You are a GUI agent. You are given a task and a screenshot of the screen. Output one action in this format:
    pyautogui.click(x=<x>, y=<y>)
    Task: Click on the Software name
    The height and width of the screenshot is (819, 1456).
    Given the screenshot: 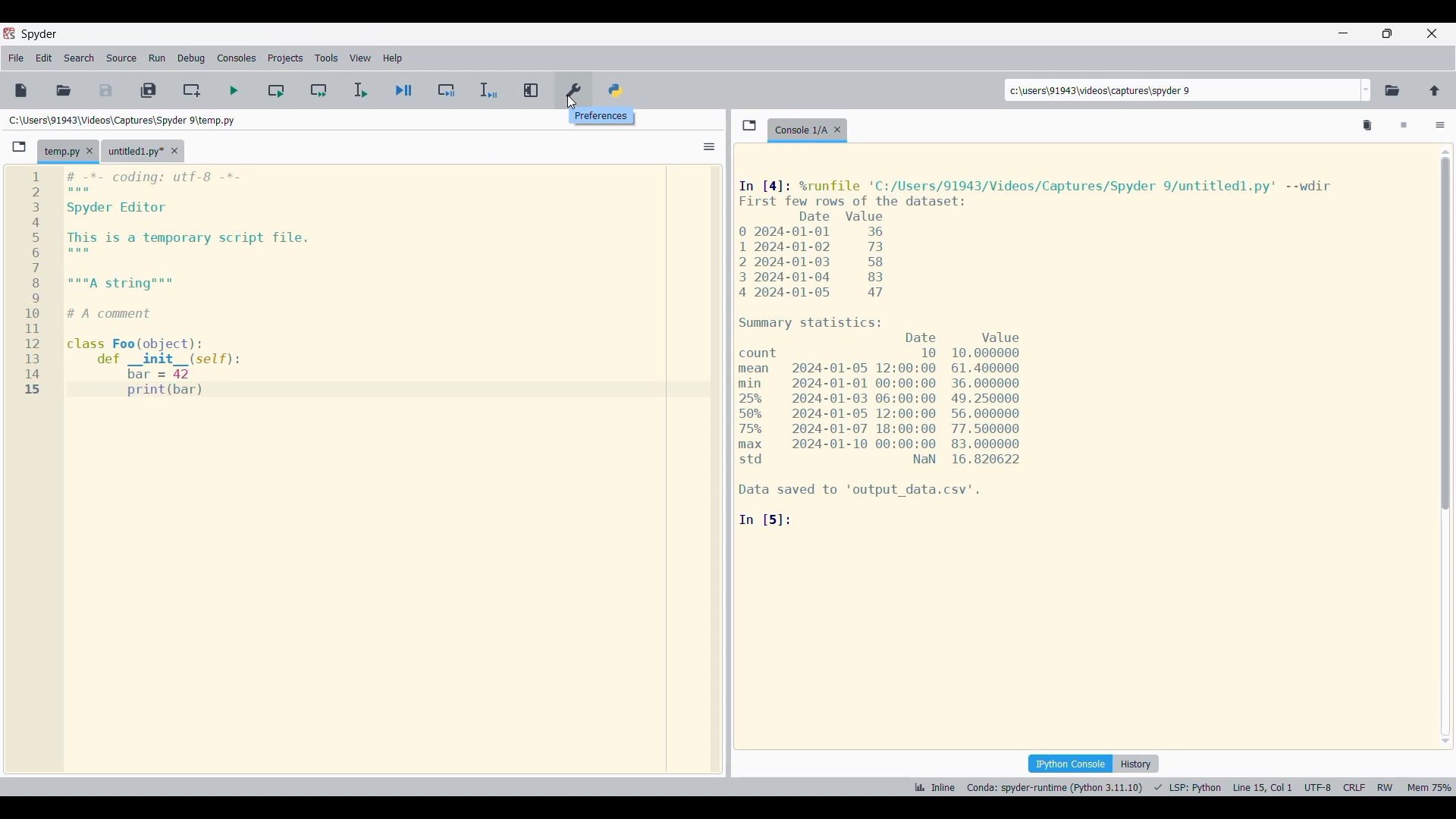 What is the action you would take?
    pyautogui.click(x=39, y=34)
    